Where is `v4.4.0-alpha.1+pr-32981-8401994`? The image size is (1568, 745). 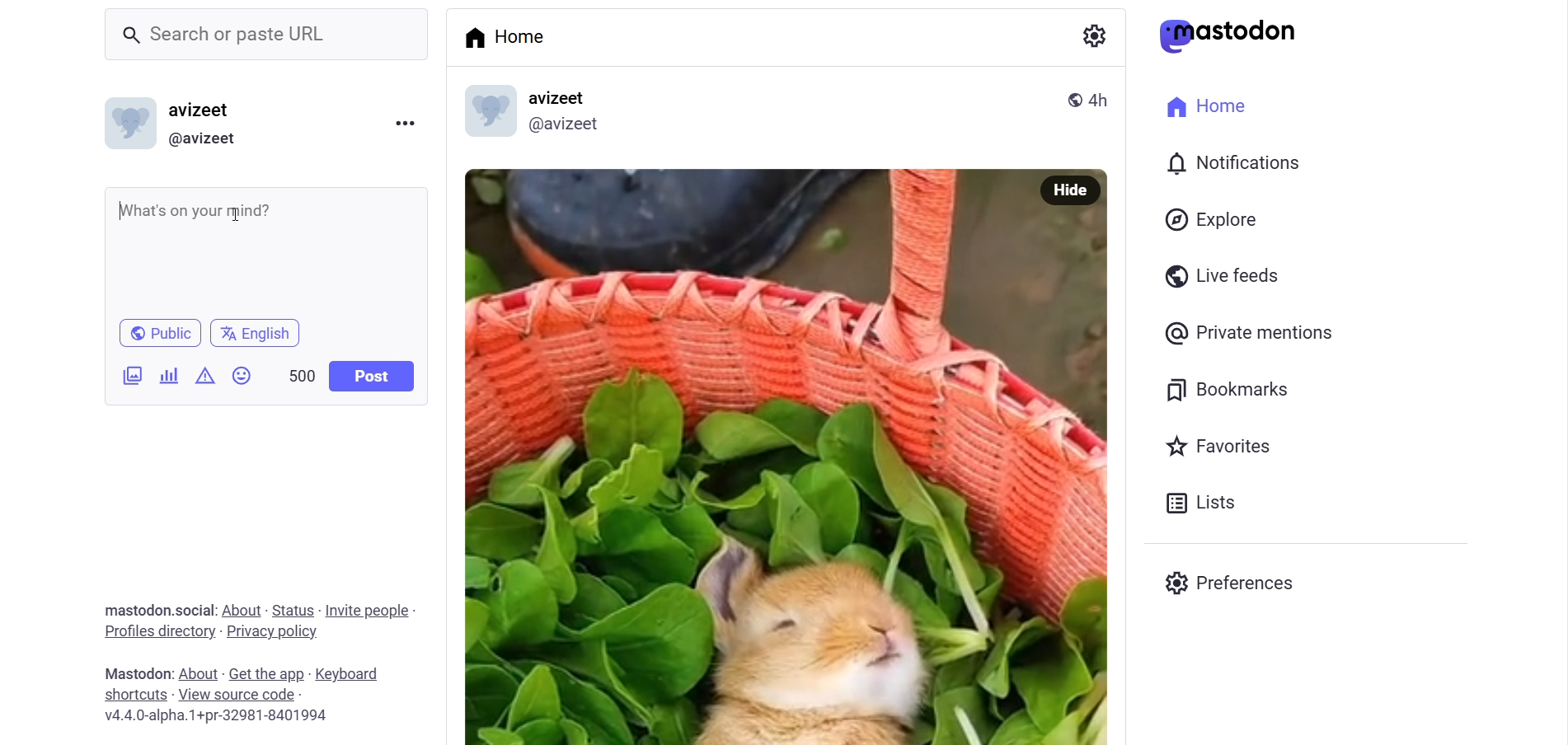 v4.4.0-alpha.1+pr-32981-8401994 is located at coordinates (206, 715).